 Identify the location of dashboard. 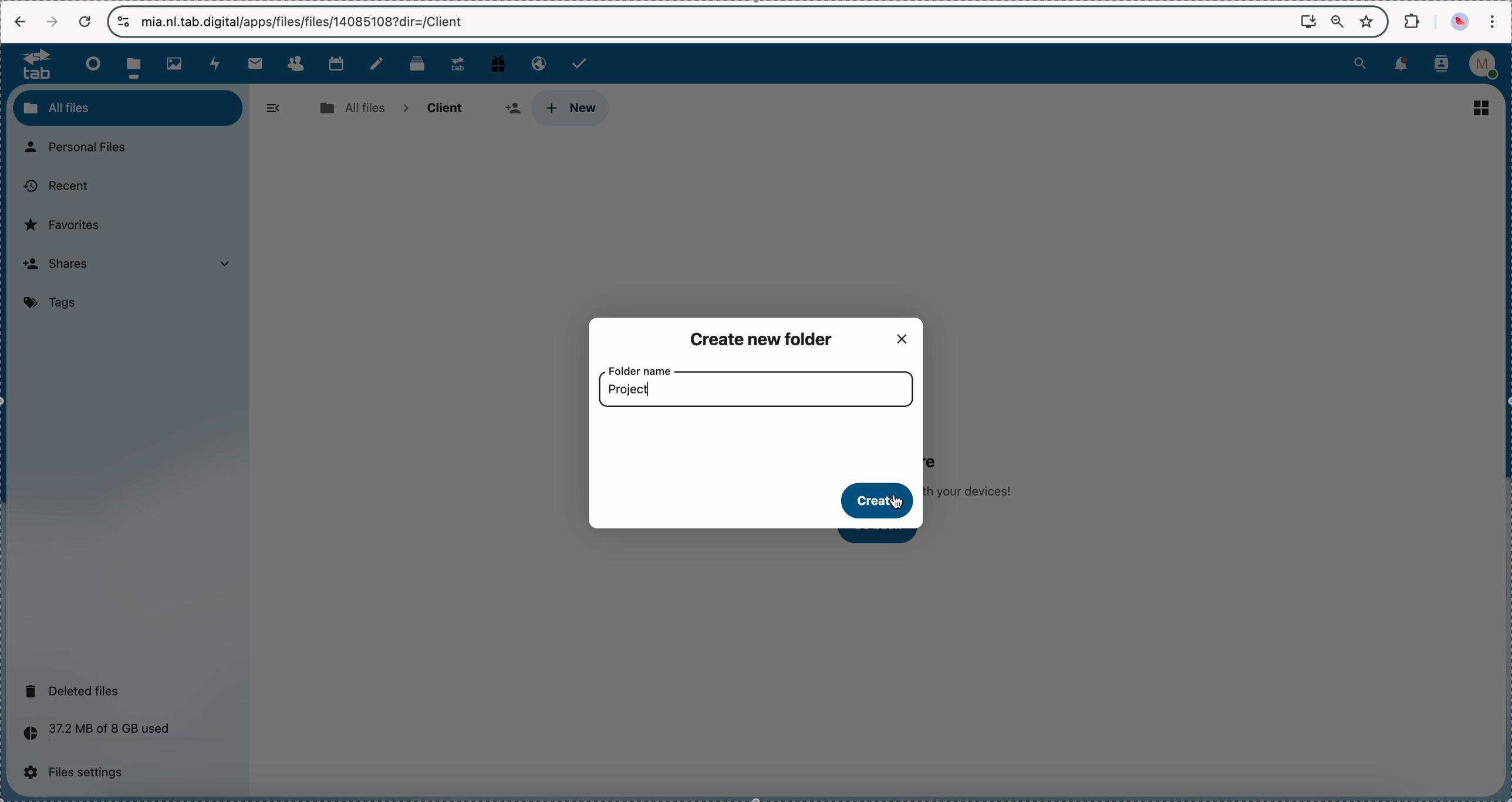
(90, 63).